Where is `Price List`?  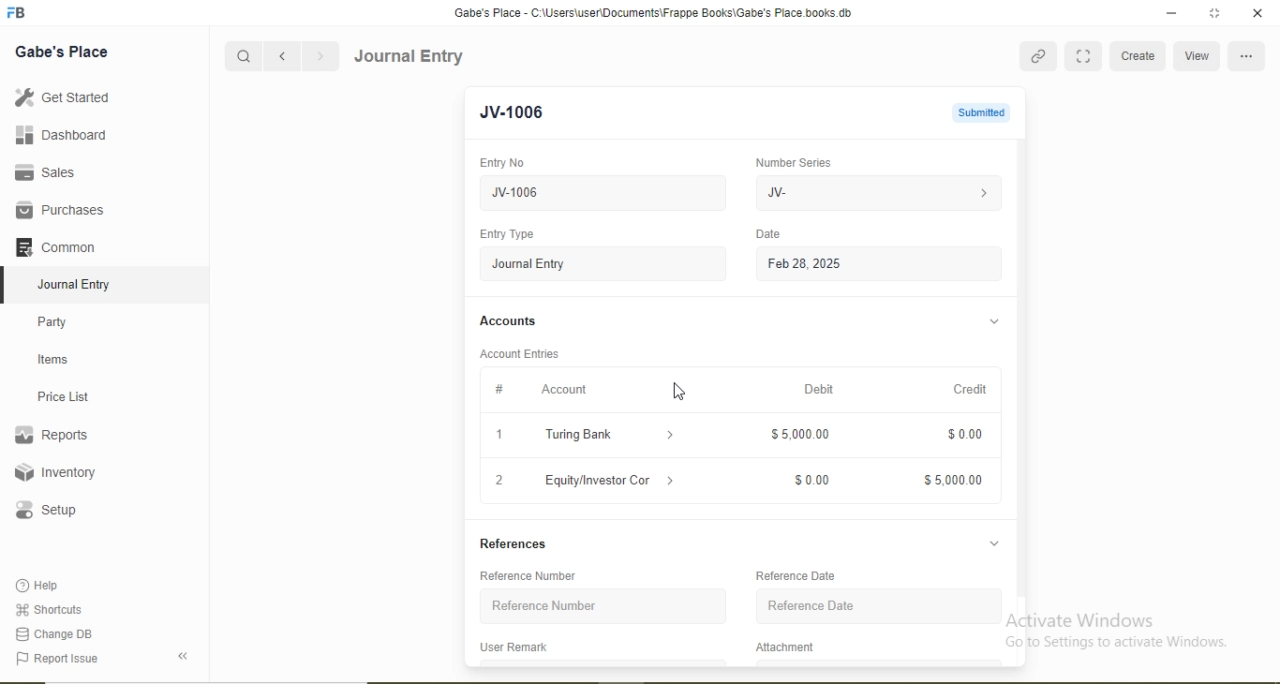
Price List is located at coordinates (62, 397).